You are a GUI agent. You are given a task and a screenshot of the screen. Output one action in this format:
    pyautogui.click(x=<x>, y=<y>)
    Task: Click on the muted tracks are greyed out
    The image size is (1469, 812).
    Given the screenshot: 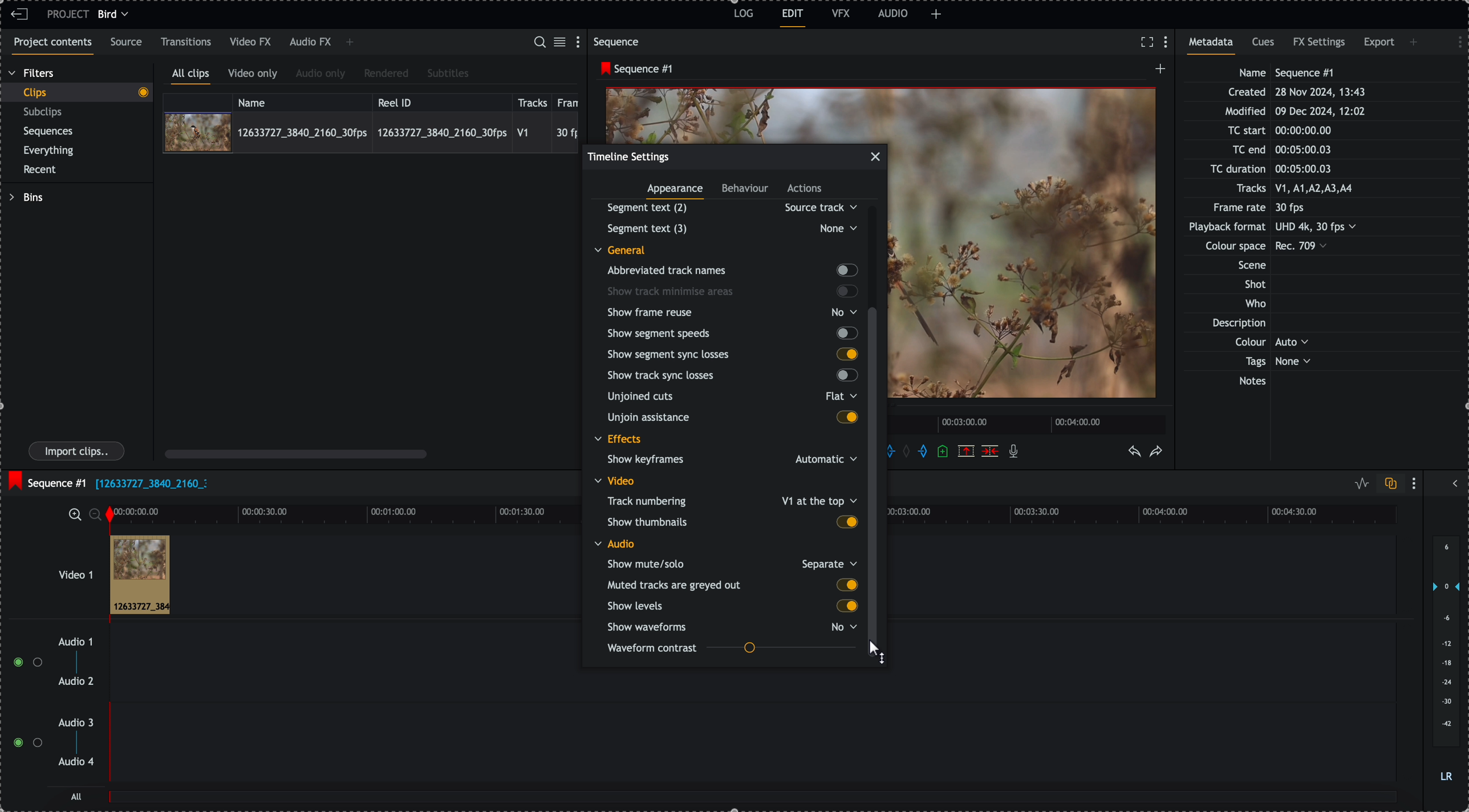 What is the action you would take?
    pyautogui.click(x=732, y=585)
    